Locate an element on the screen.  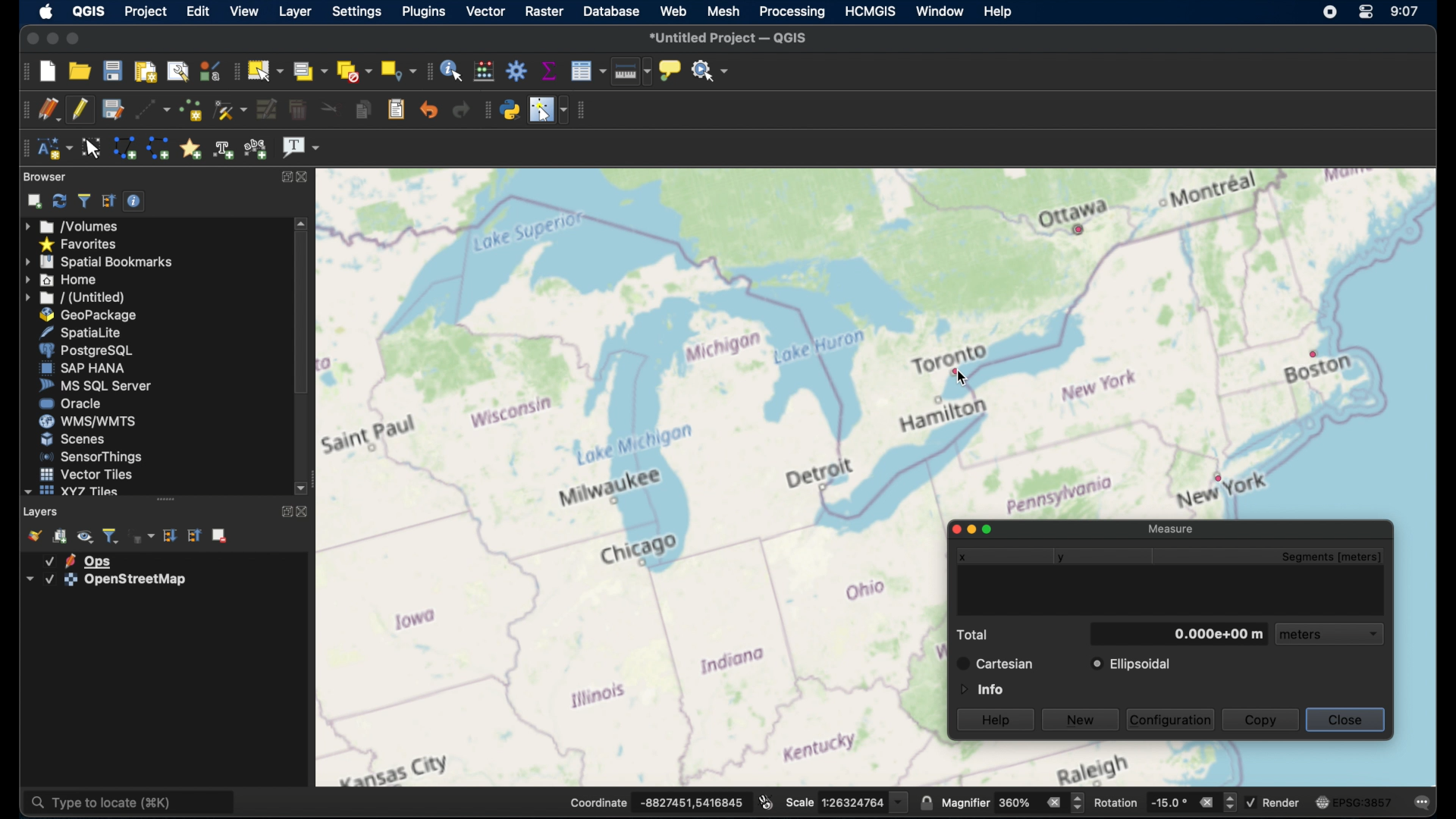
oracle is located at coordinates (71, 404).